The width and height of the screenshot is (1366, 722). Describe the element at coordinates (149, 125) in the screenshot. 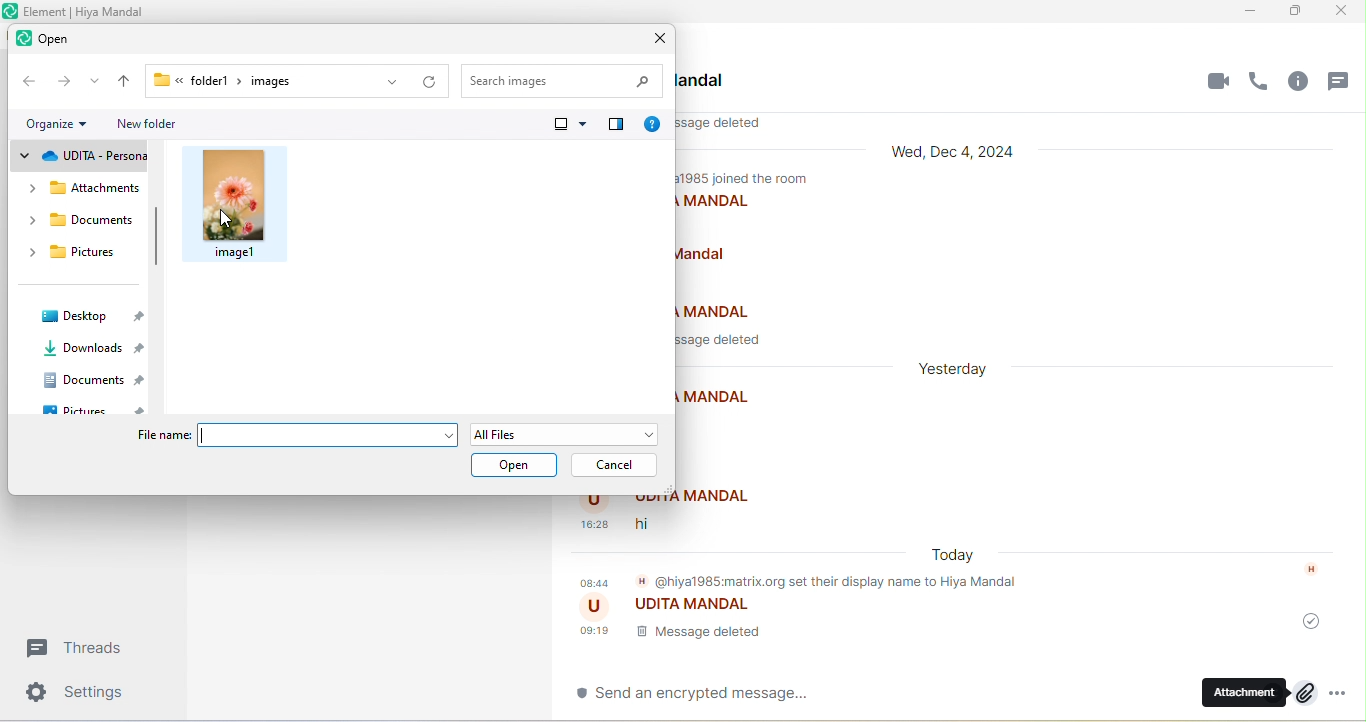

I see `new folder` at that location.